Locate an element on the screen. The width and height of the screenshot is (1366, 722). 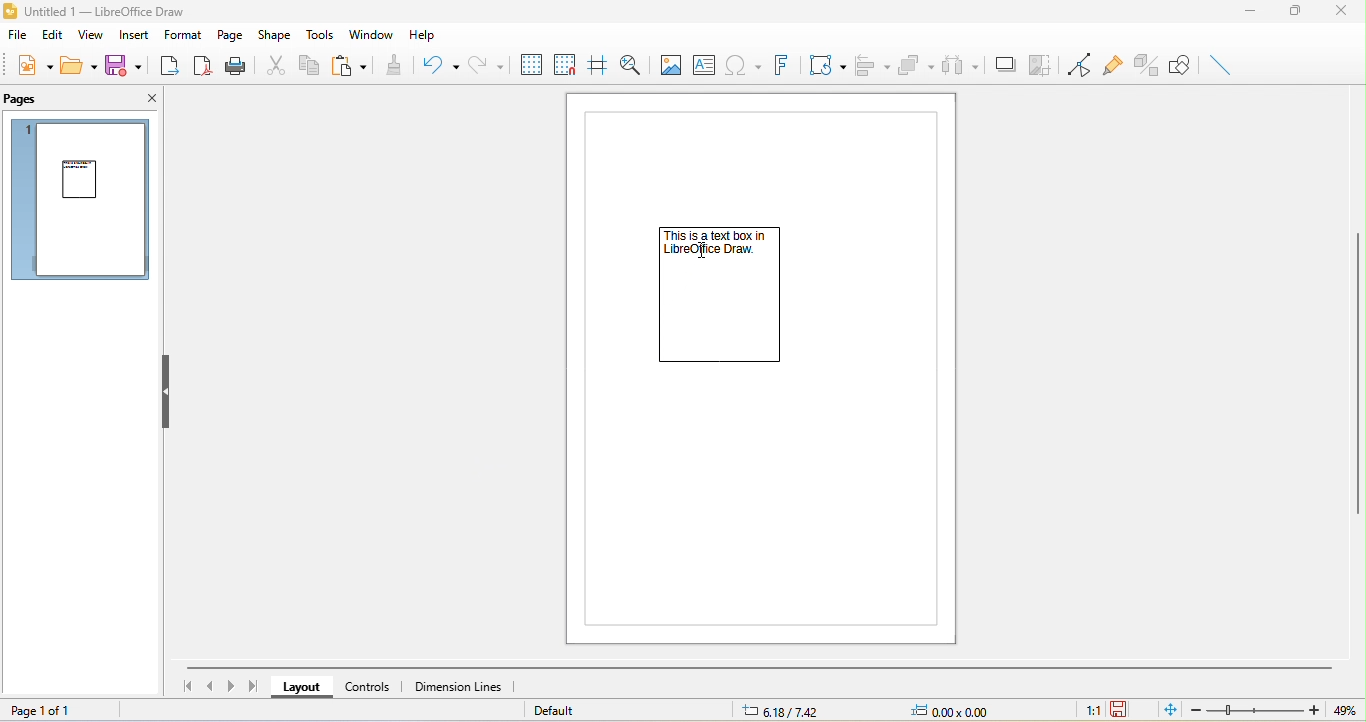
toggle extrusion is located at coordinates (1149, 63).